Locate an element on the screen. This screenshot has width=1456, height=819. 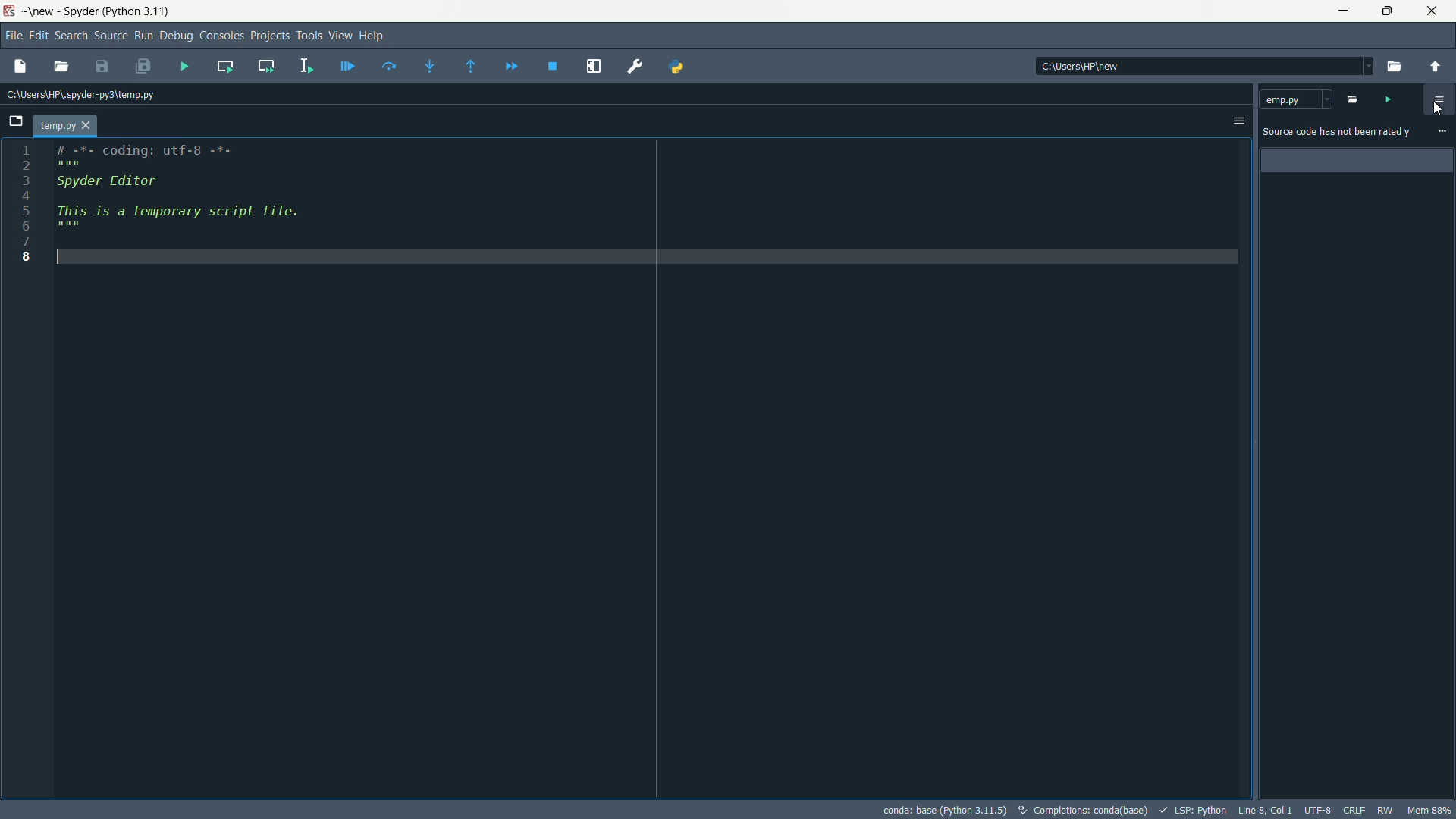
file eol status is located at coordinates (1357, 809).